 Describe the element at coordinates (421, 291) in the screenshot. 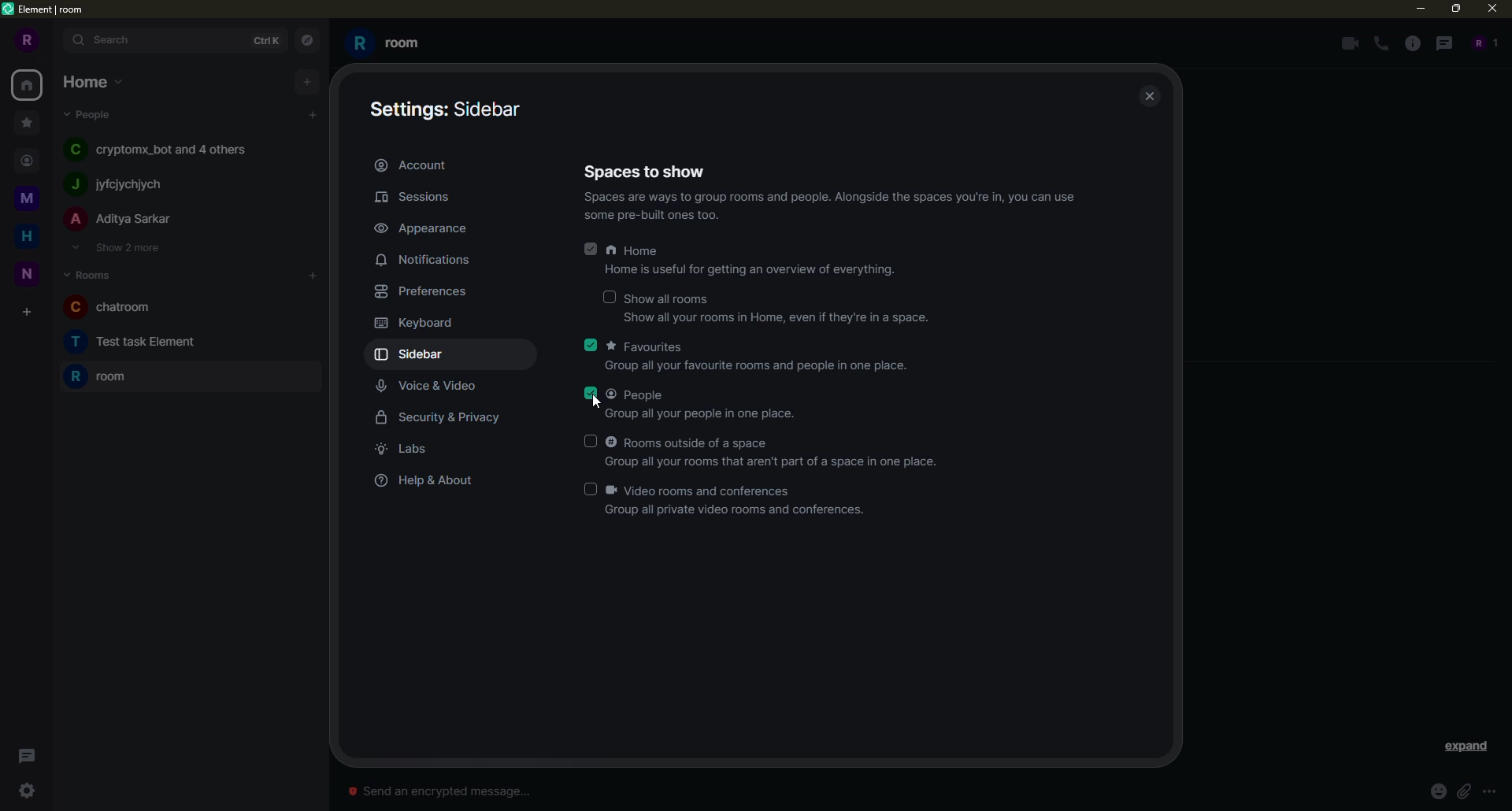

I see `preferences` at that location.